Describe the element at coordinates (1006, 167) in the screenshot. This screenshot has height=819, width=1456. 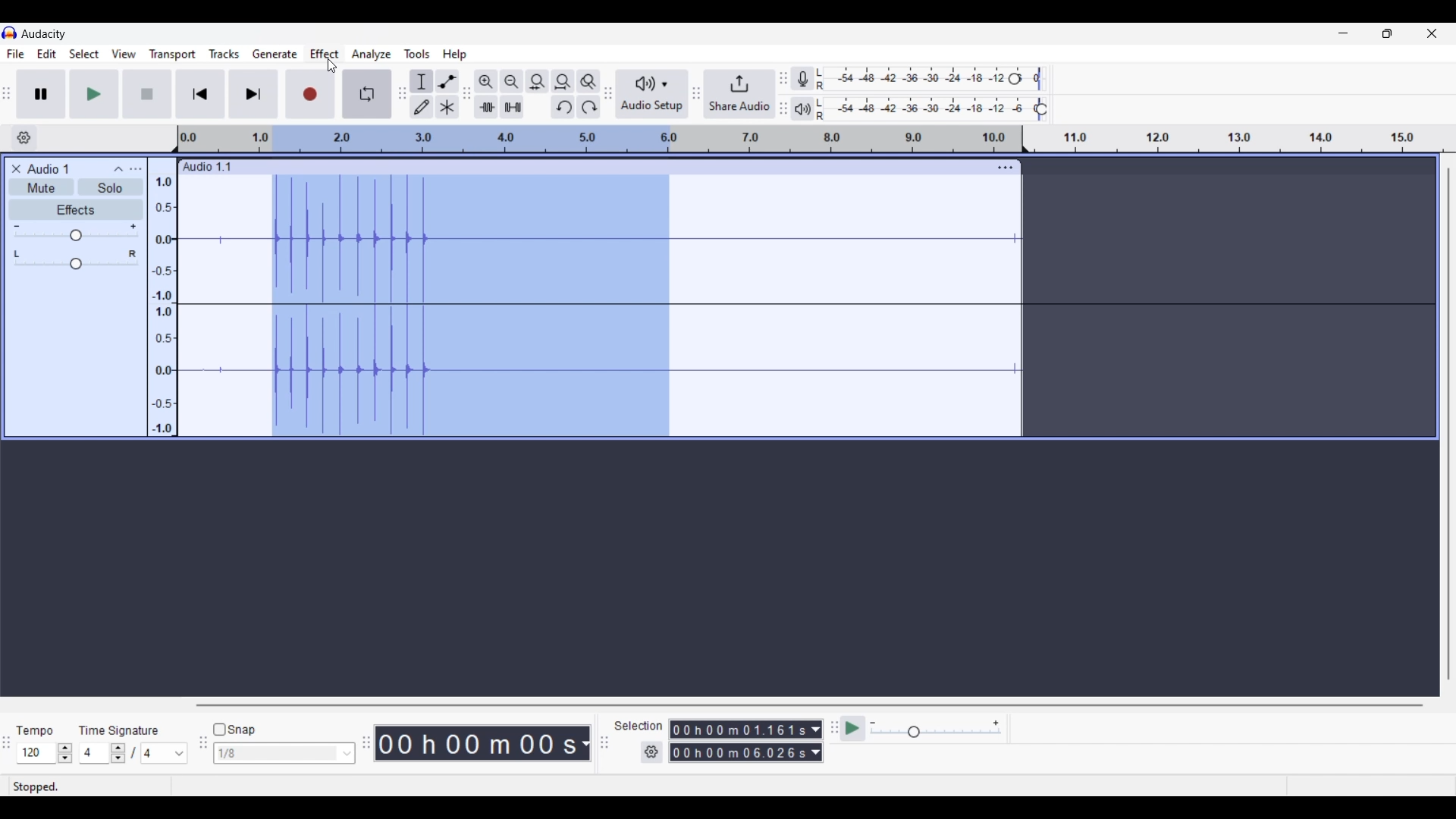
I see `Track settings` at that location.